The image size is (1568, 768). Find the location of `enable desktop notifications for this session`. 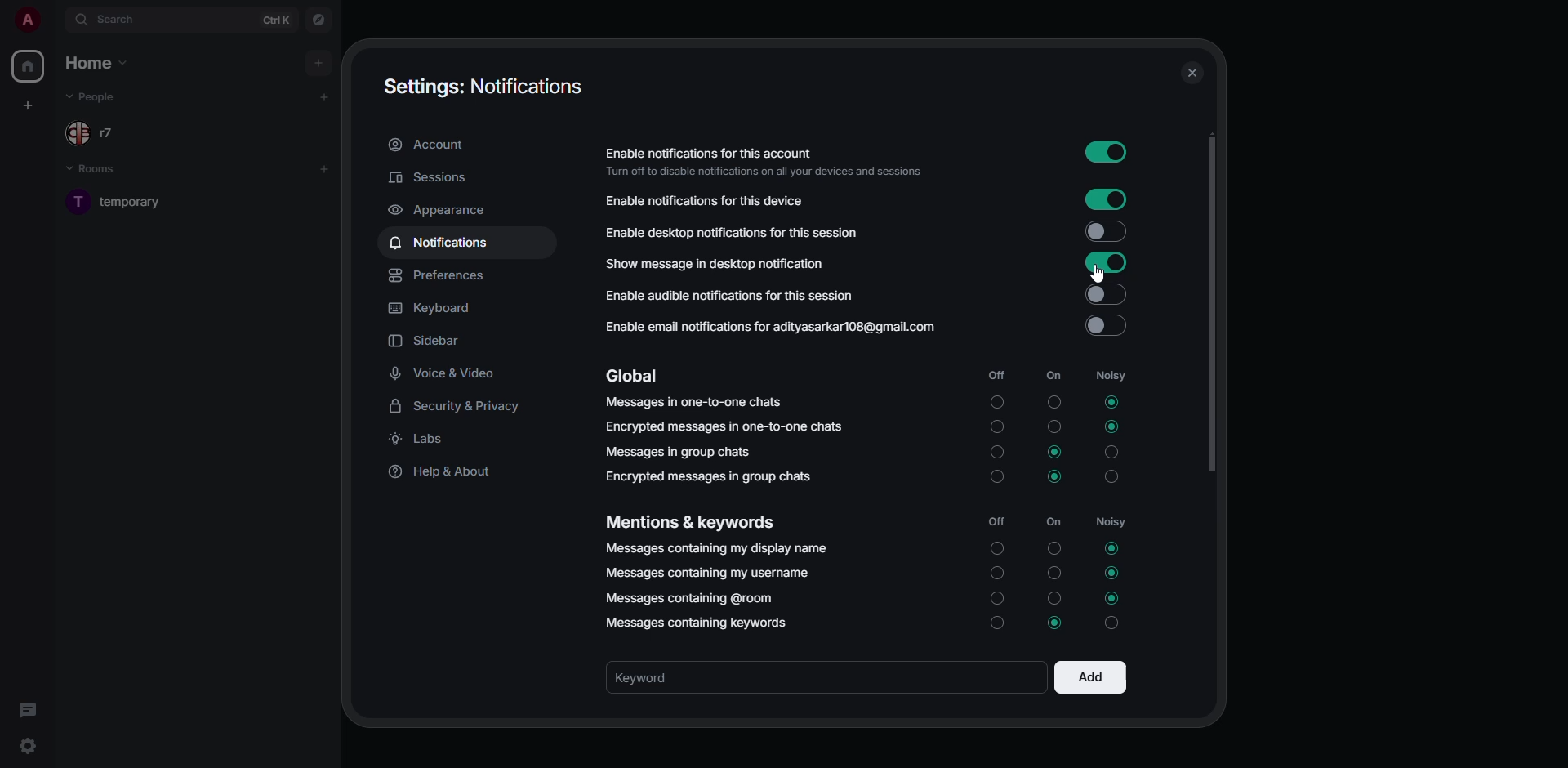

enable desktop notifications for this session is located at coordinates (760, 232).